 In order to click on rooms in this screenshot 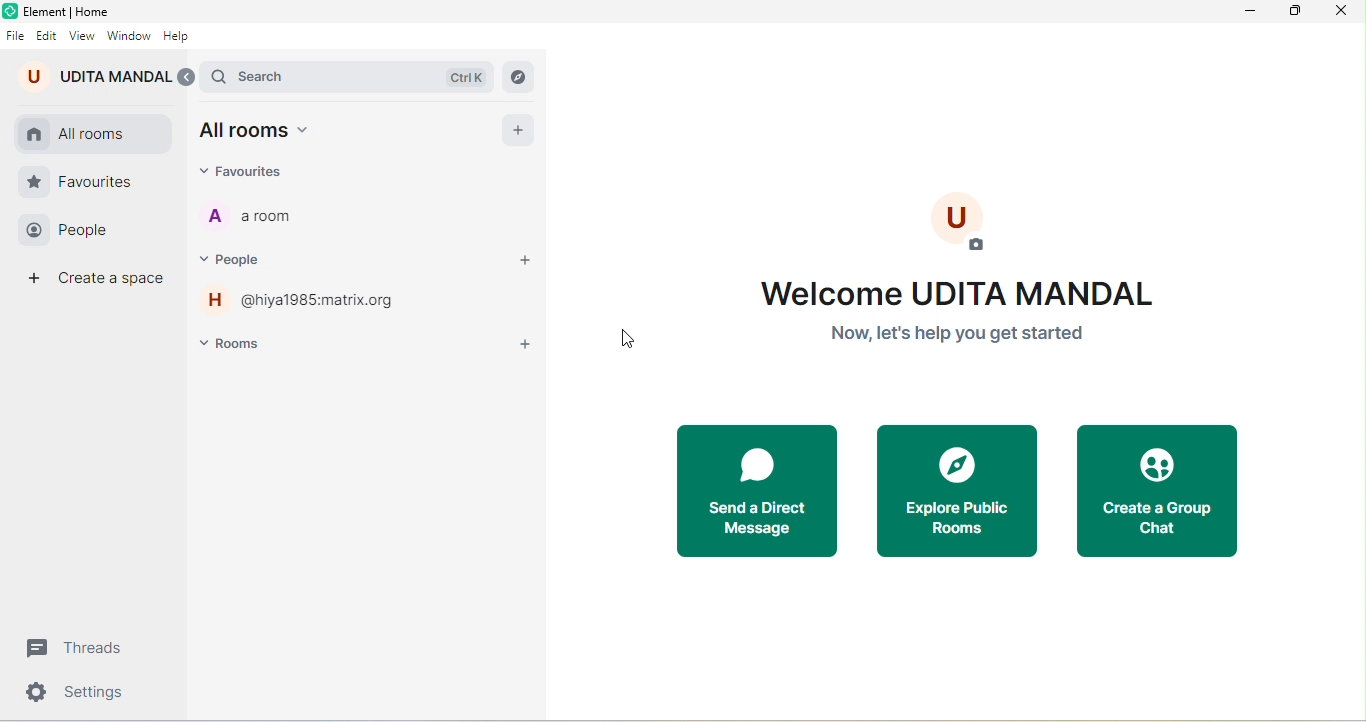, I will do `click(233, 347)`.